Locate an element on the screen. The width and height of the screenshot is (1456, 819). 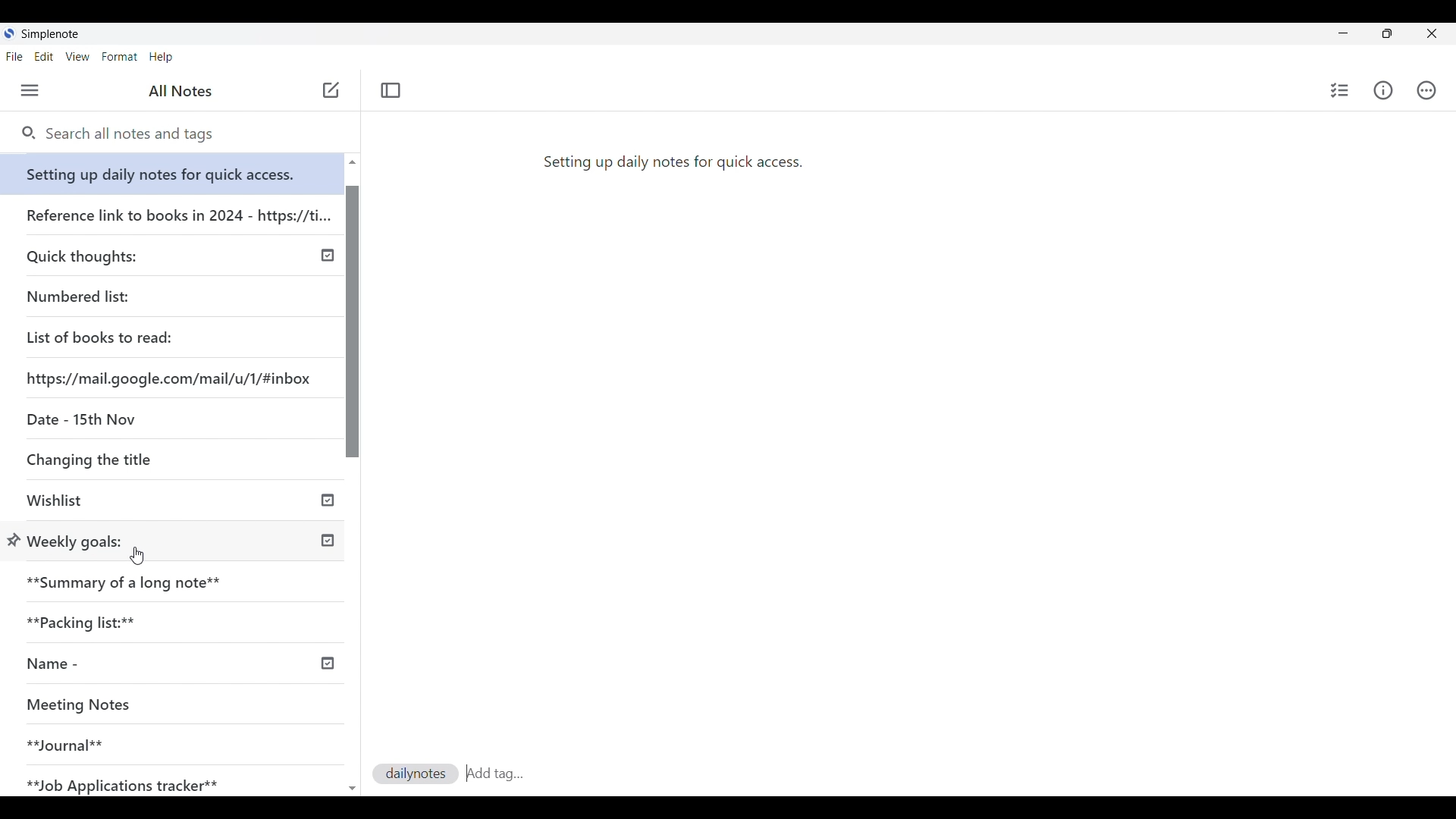
Wishlist is located at coordinates (127, 502).